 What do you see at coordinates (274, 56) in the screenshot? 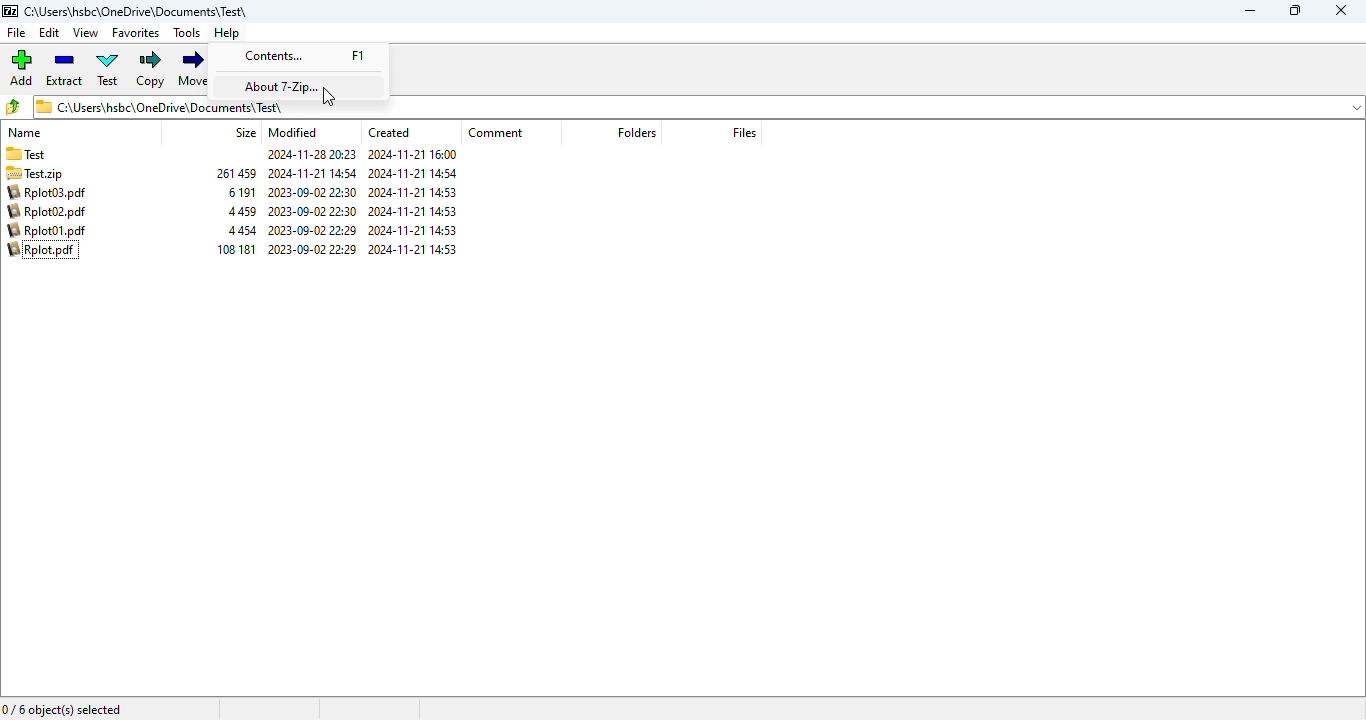
I see `contents` at bounding box center [274, 56].